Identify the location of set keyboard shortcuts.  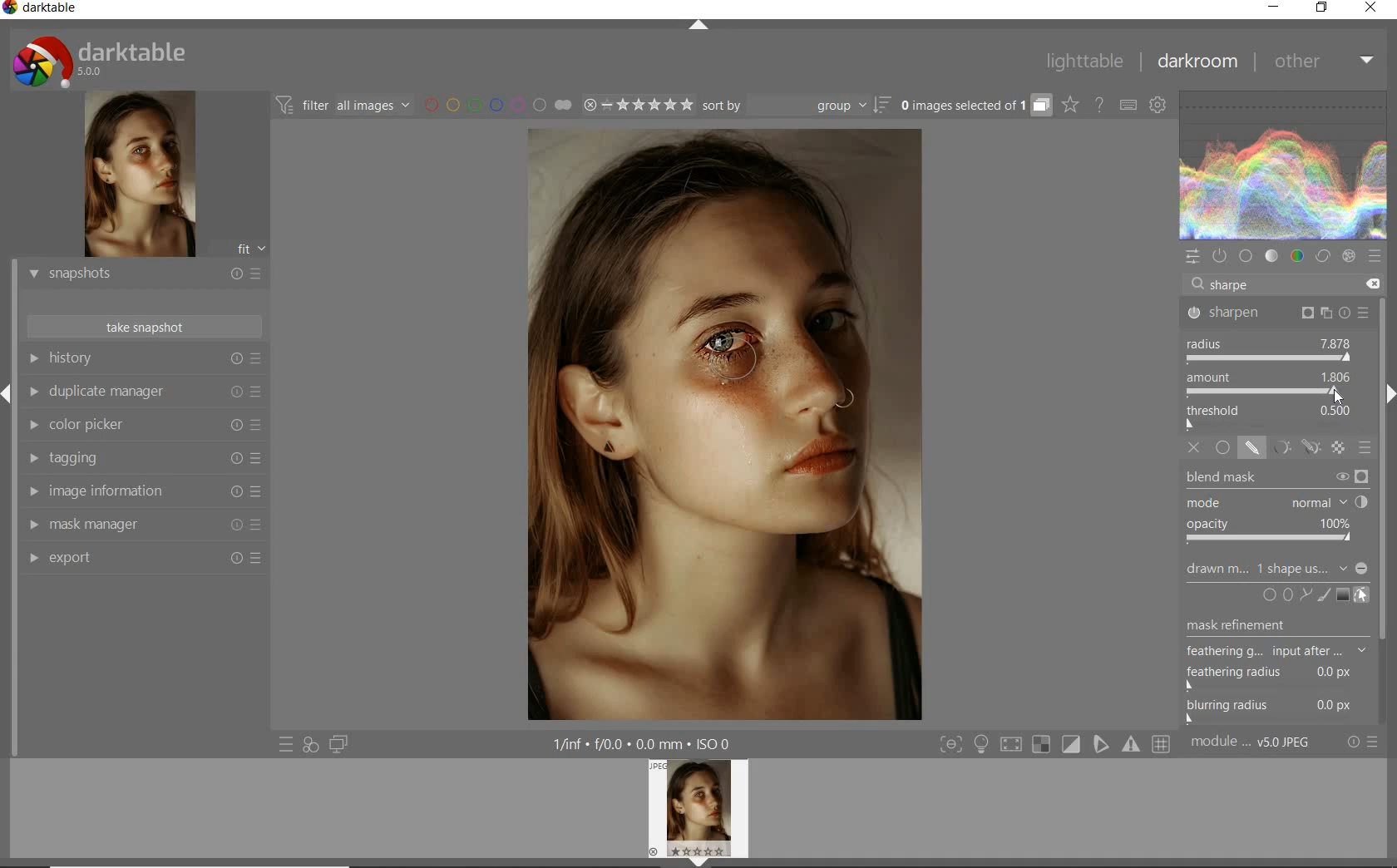
(1128, 106).